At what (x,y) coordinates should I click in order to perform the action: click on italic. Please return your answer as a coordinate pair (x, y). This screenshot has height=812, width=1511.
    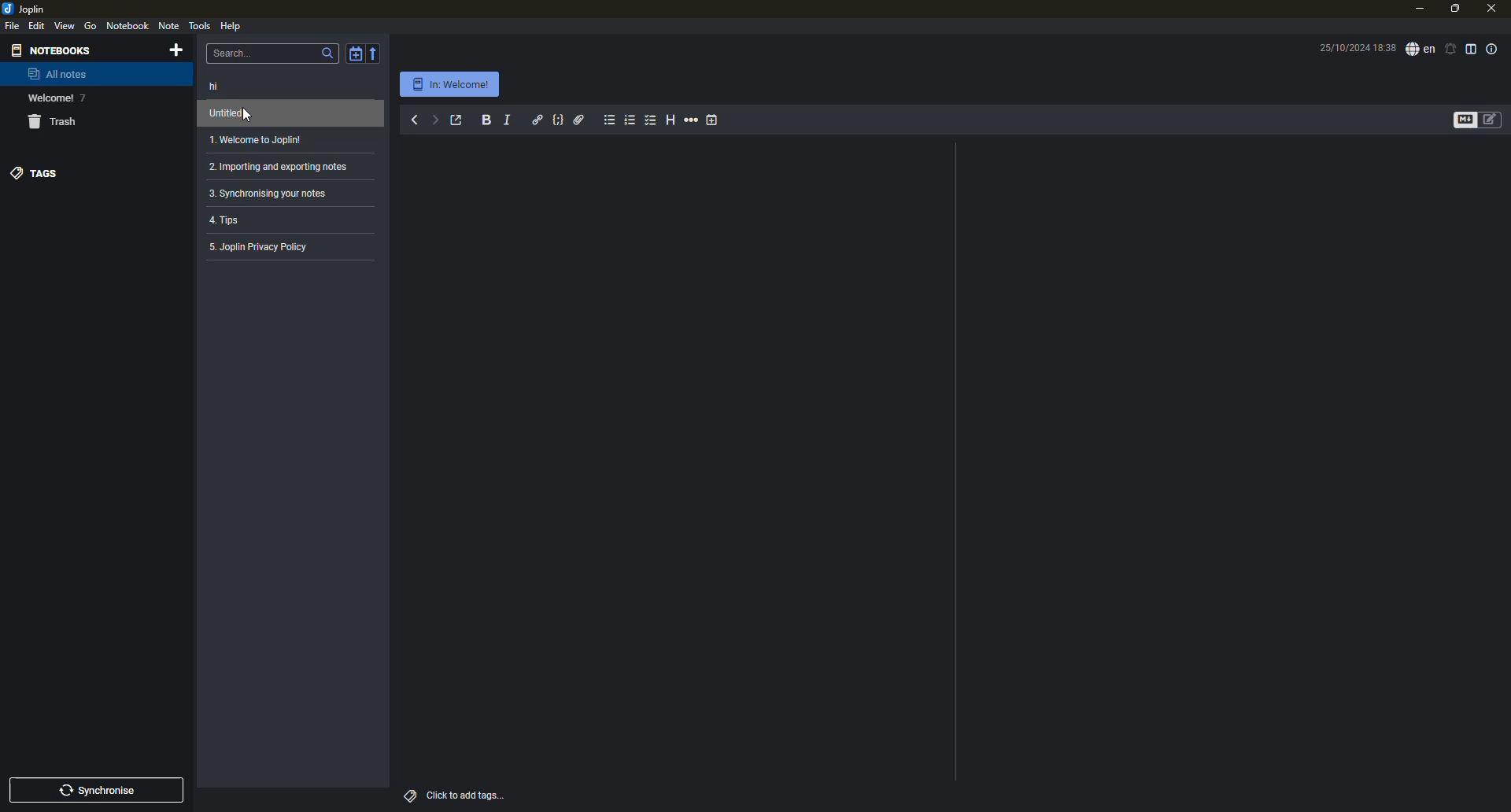
    Looking at the image, I should click on (508, 120).